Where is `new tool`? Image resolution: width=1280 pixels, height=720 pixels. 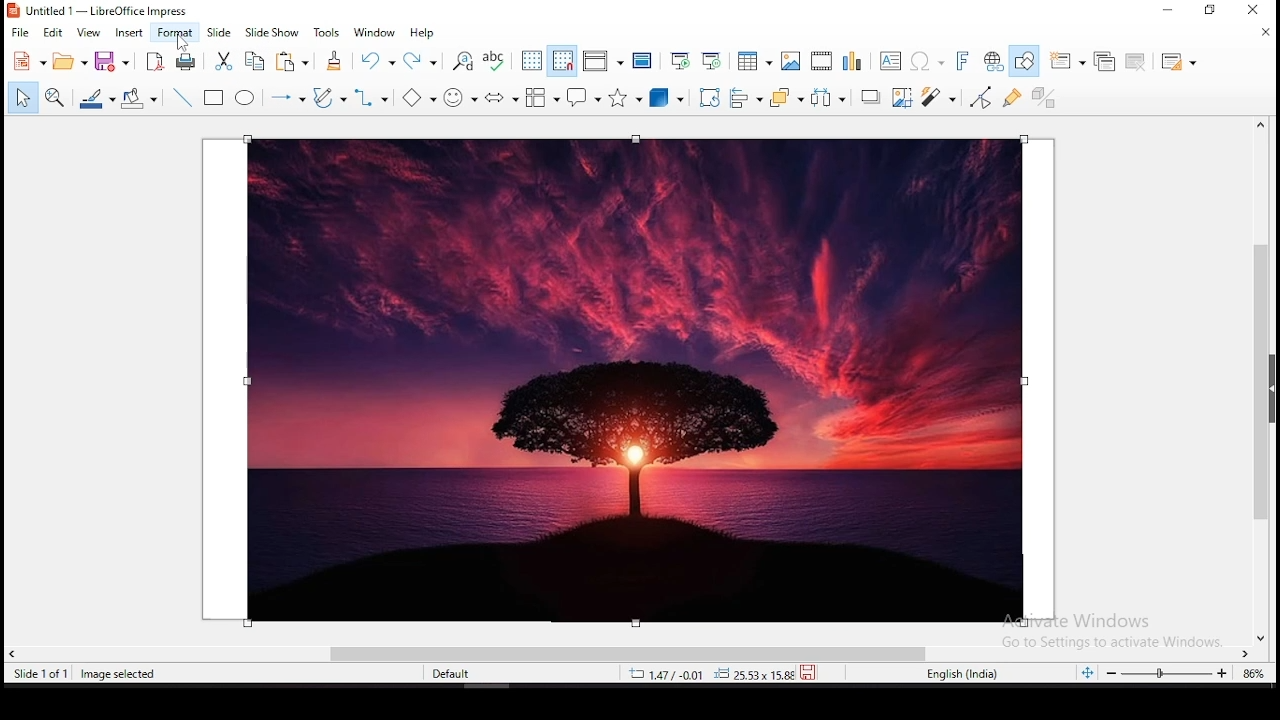
new tool is located at coordinates (28, 64).